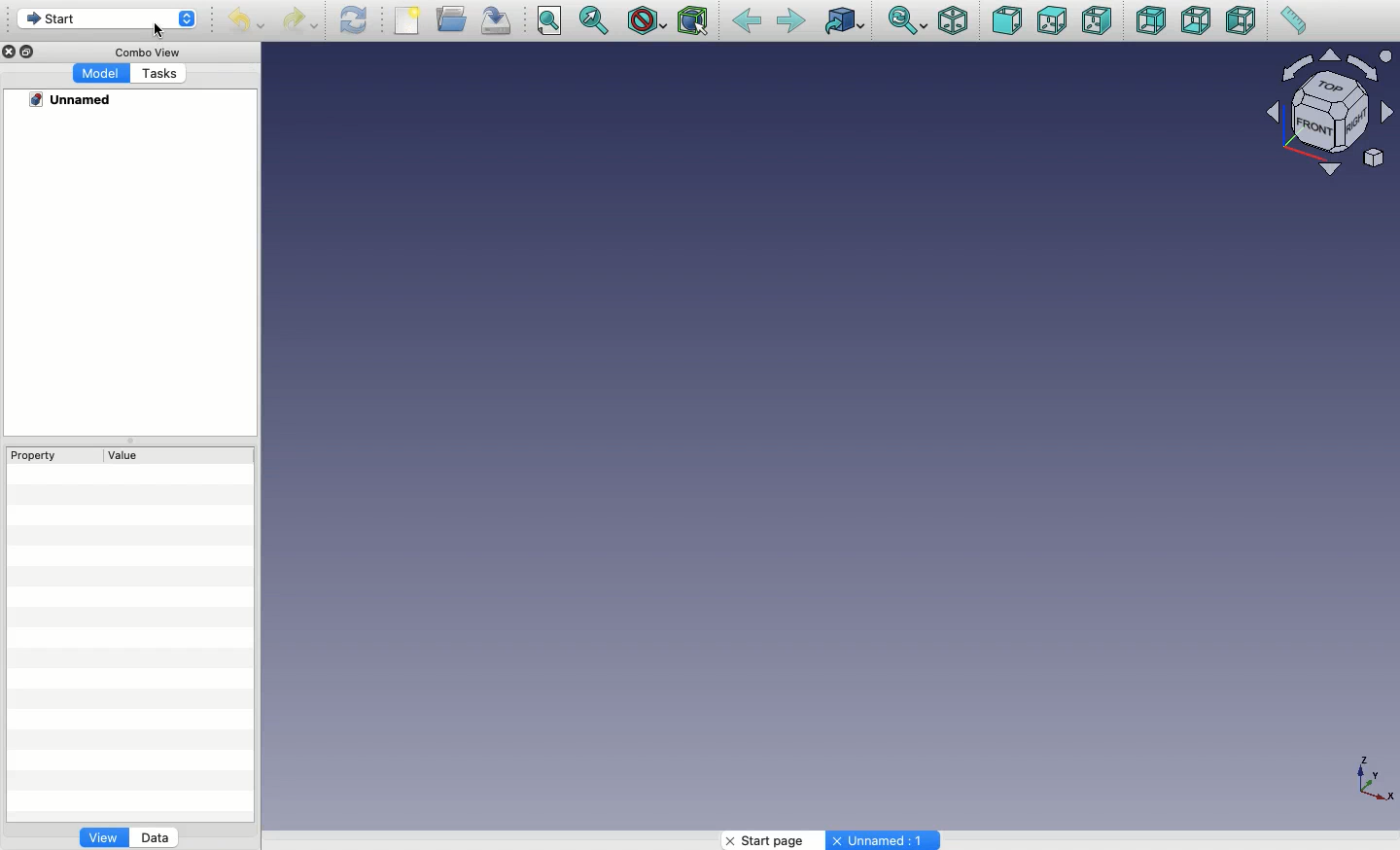 The image size is (1400, 850). What do you see at coordinates (301, 20) in the screenshot?
I see `Redo` at bounding box center [301, 20].